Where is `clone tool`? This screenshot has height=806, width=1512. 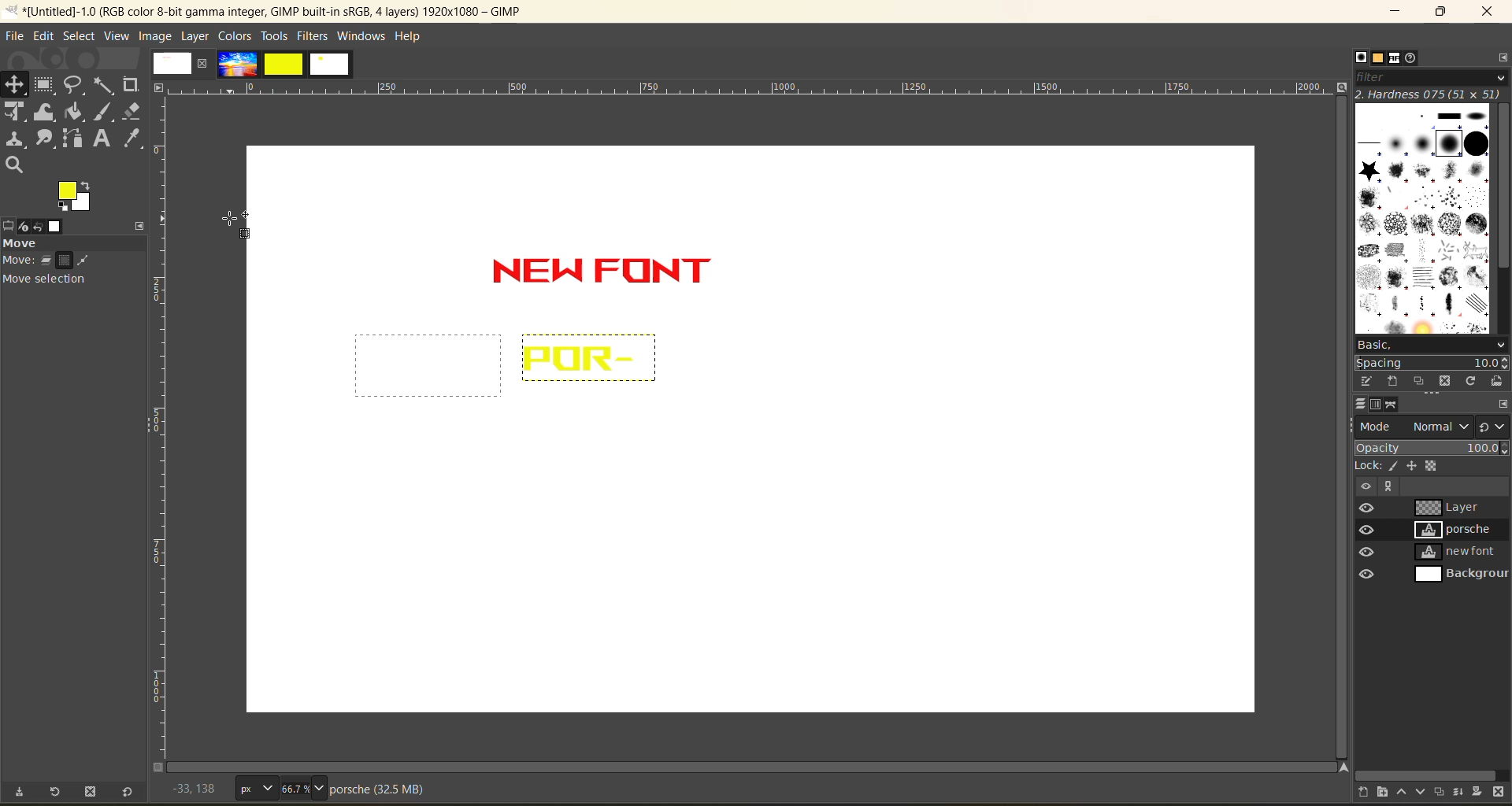
clone tool is located at coordinates (16, 140).